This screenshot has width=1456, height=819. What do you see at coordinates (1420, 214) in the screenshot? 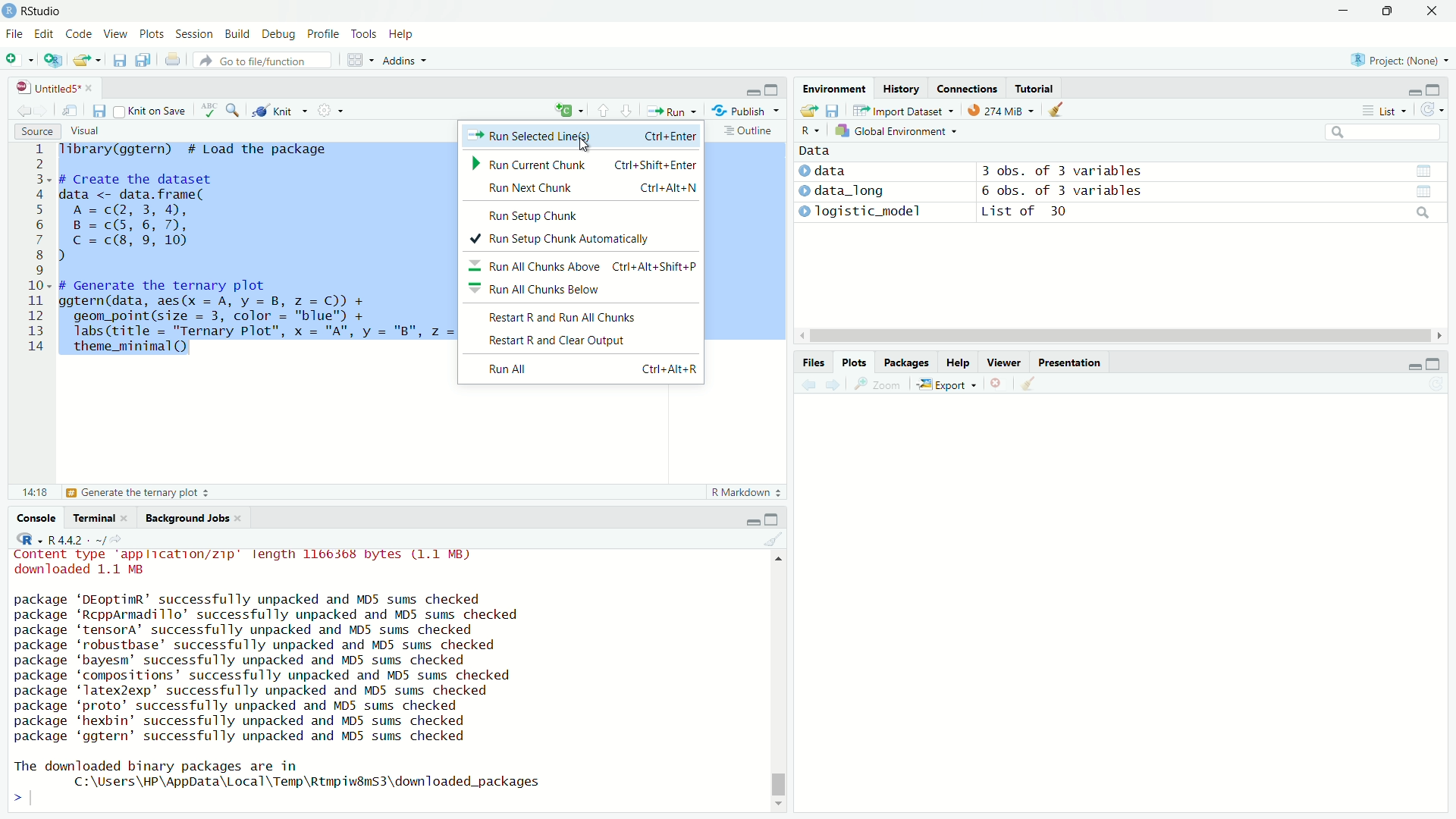
I see `search` at bounding box center [1420, 214].